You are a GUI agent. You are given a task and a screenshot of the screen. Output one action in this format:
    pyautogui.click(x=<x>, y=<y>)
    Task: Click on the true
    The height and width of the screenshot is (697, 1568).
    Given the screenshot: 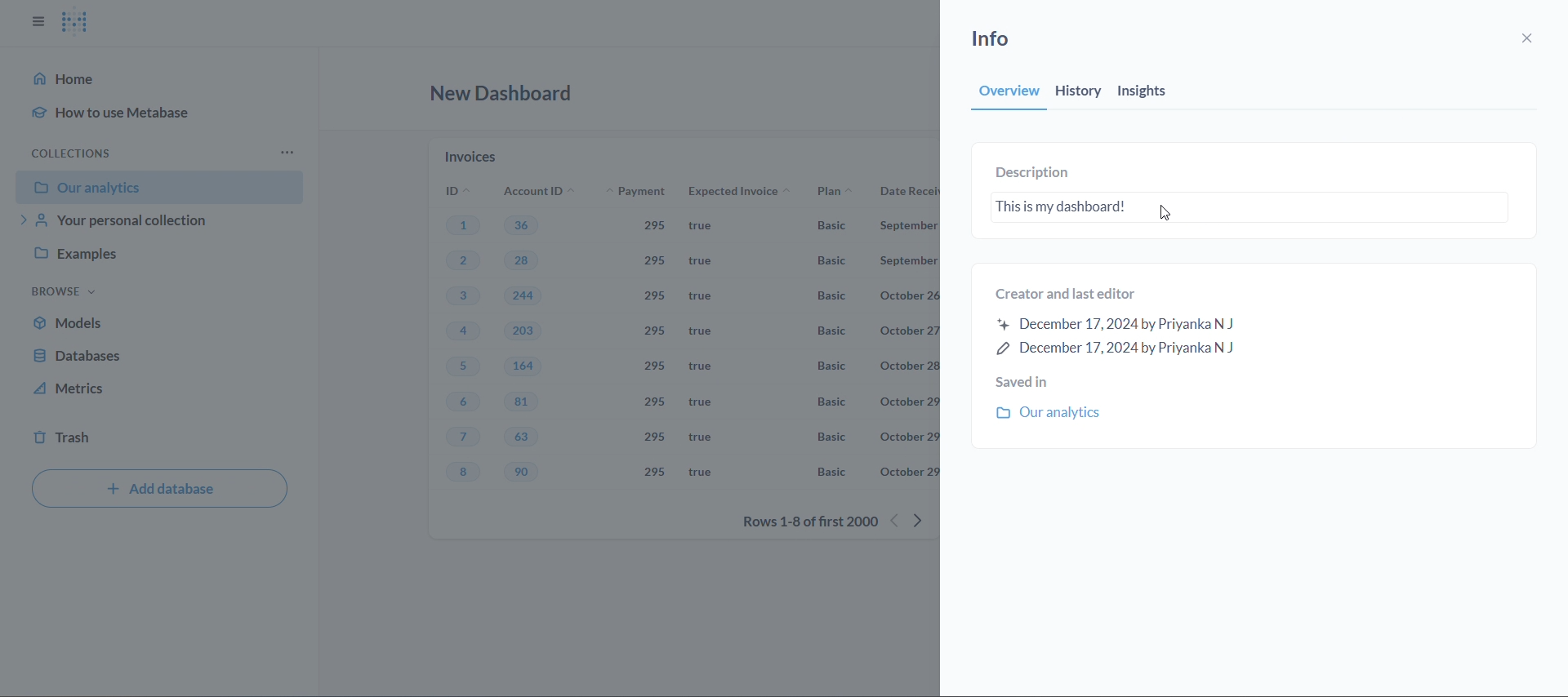 What is the action you would take?
    pyautogui.click(x=703, y=367)
    